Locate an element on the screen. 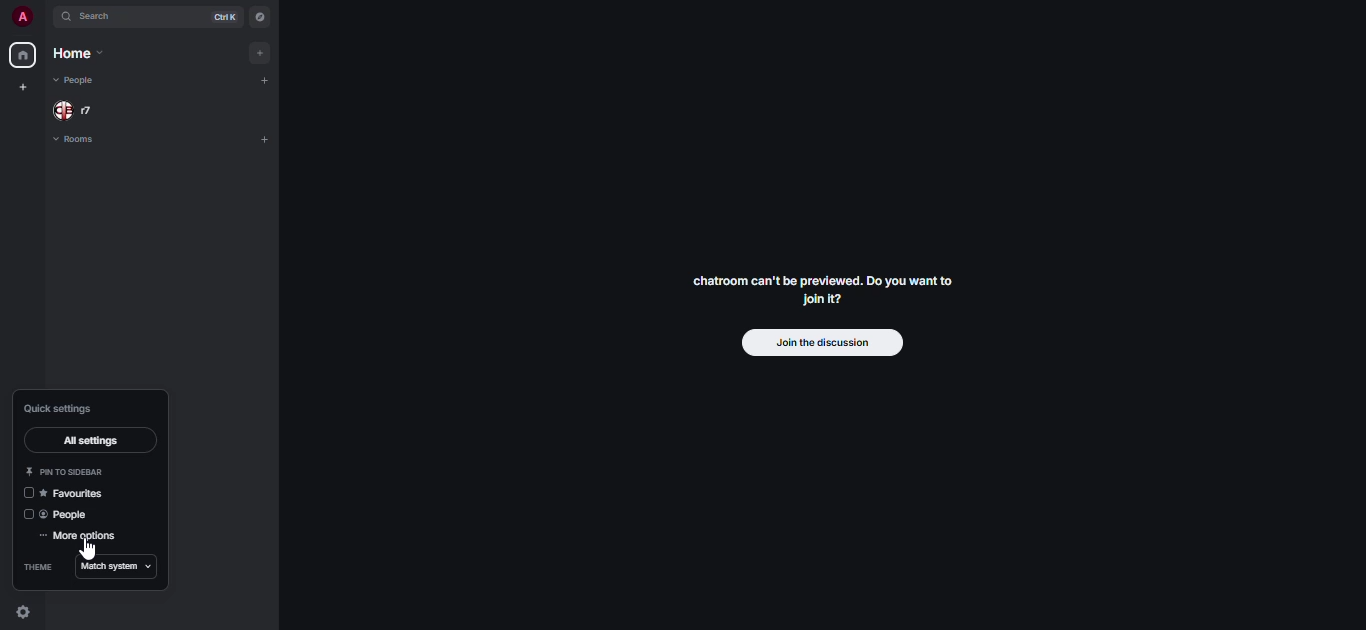 This screenshot has width=1366, height=630. favorites is located at coordinates (75, 492).